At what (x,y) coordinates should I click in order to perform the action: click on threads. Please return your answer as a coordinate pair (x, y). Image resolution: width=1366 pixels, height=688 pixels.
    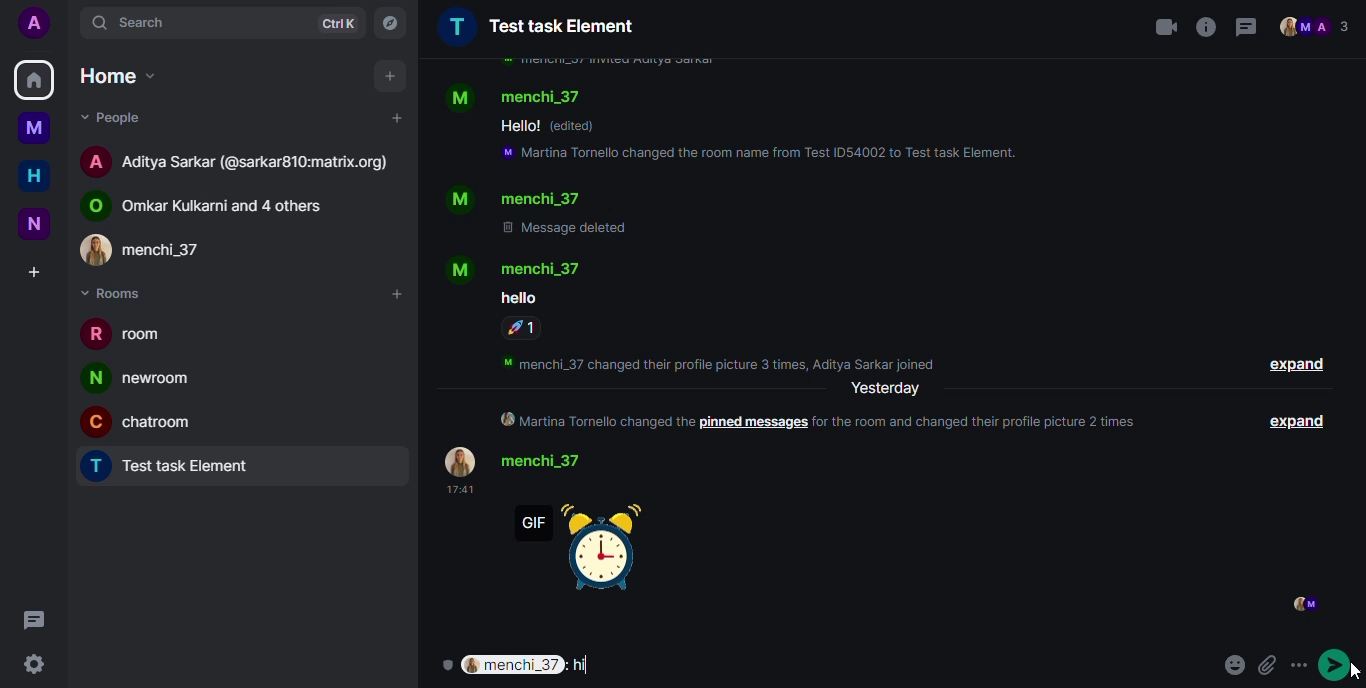
    Looking at the image, I should click on (1246, 27).